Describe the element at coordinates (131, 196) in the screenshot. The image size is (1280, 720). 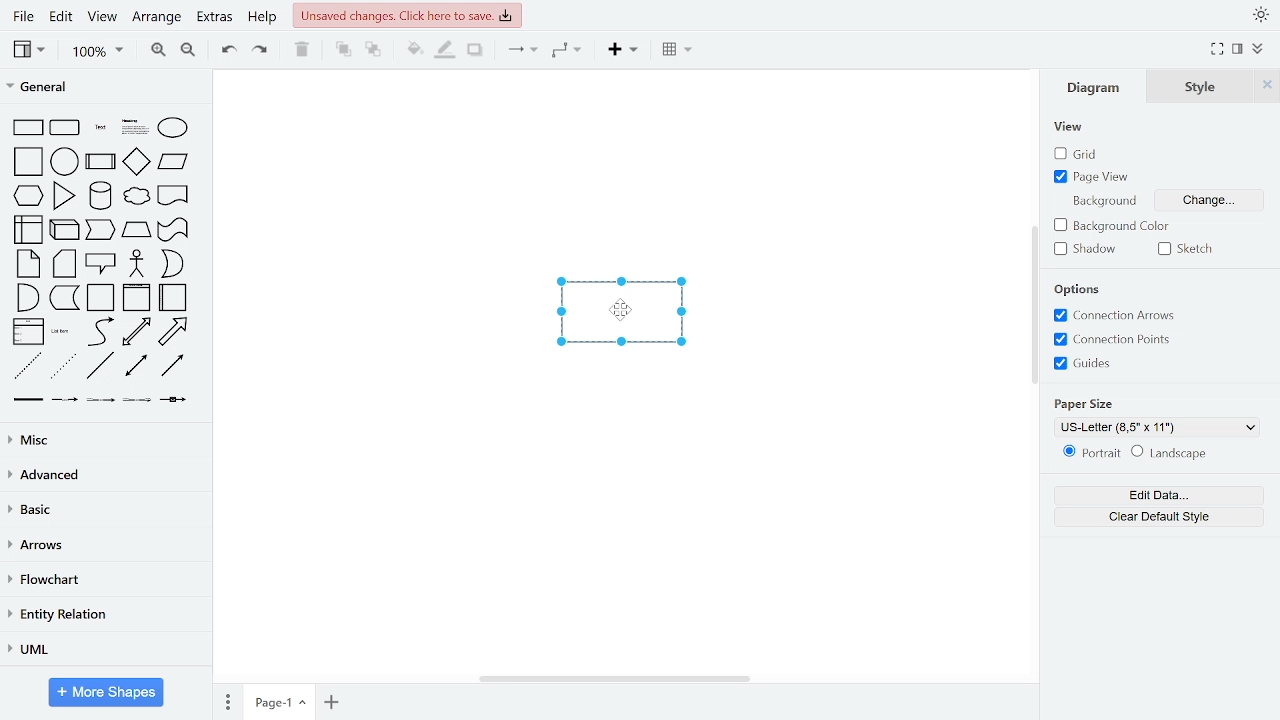
I see `general shapes` at that location.